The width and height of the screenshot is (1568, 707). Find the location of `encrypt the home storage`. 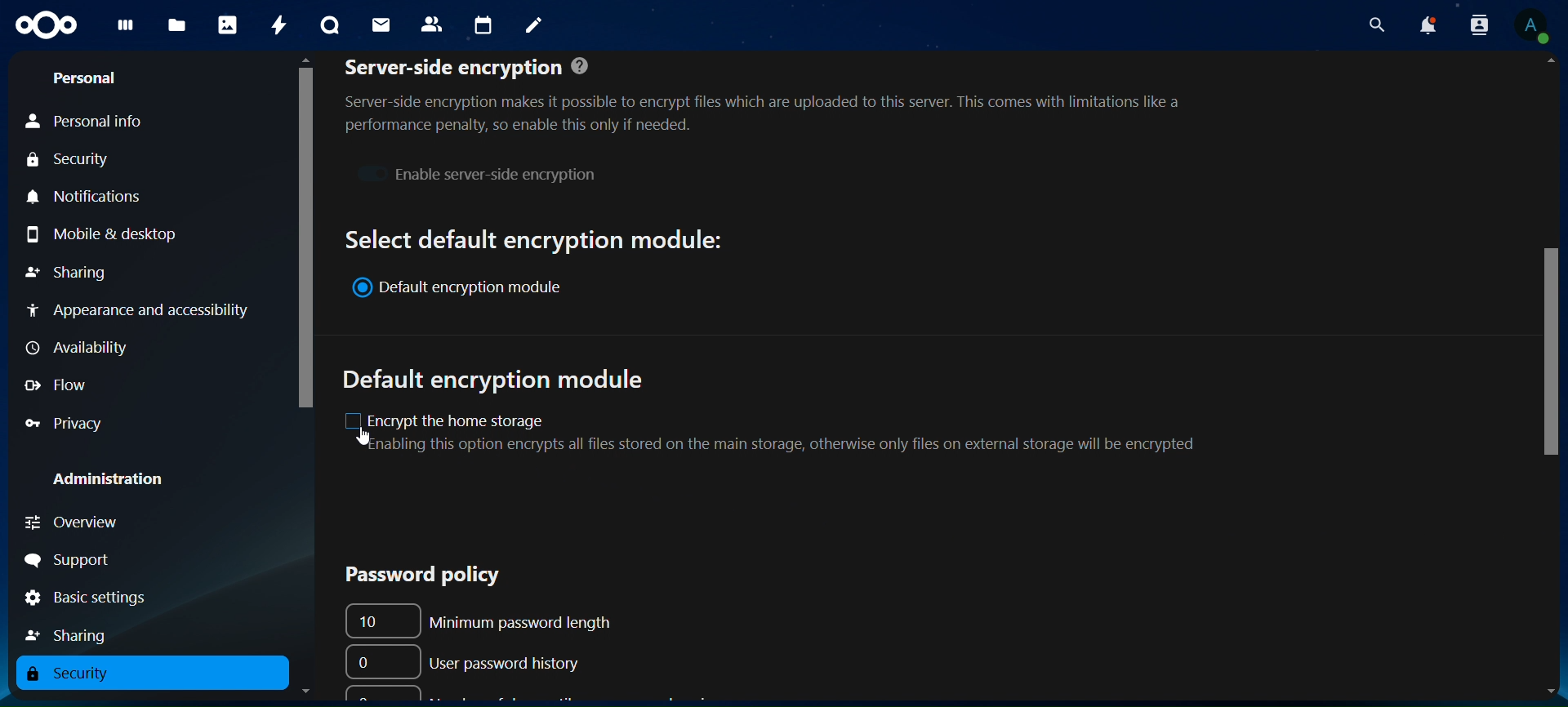

encrypt the home storage is located at coordinates (791, 431).